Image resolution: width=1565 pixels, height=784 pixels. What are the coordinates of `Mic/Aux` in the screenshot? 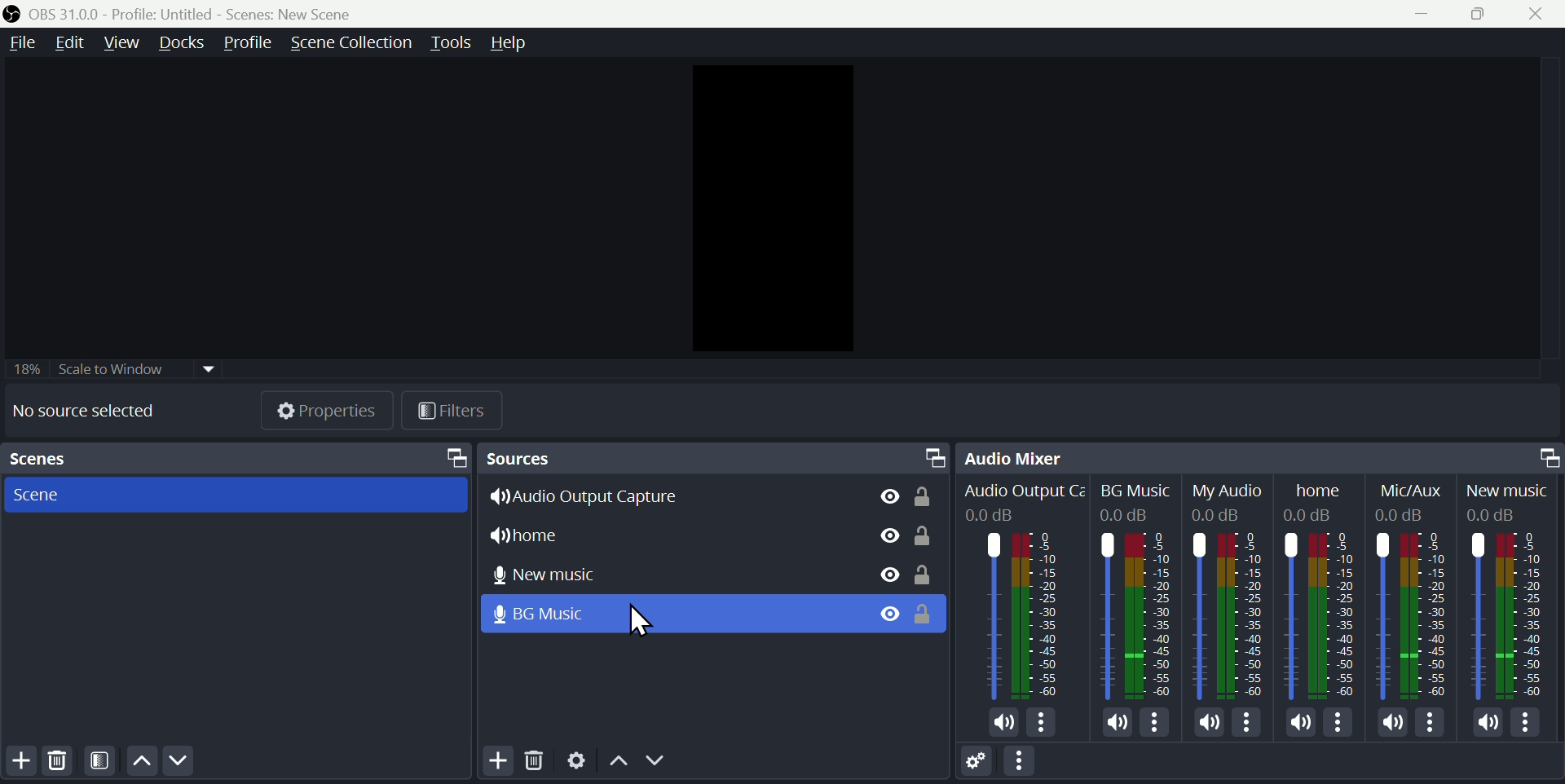 It's located at (1408, 590).